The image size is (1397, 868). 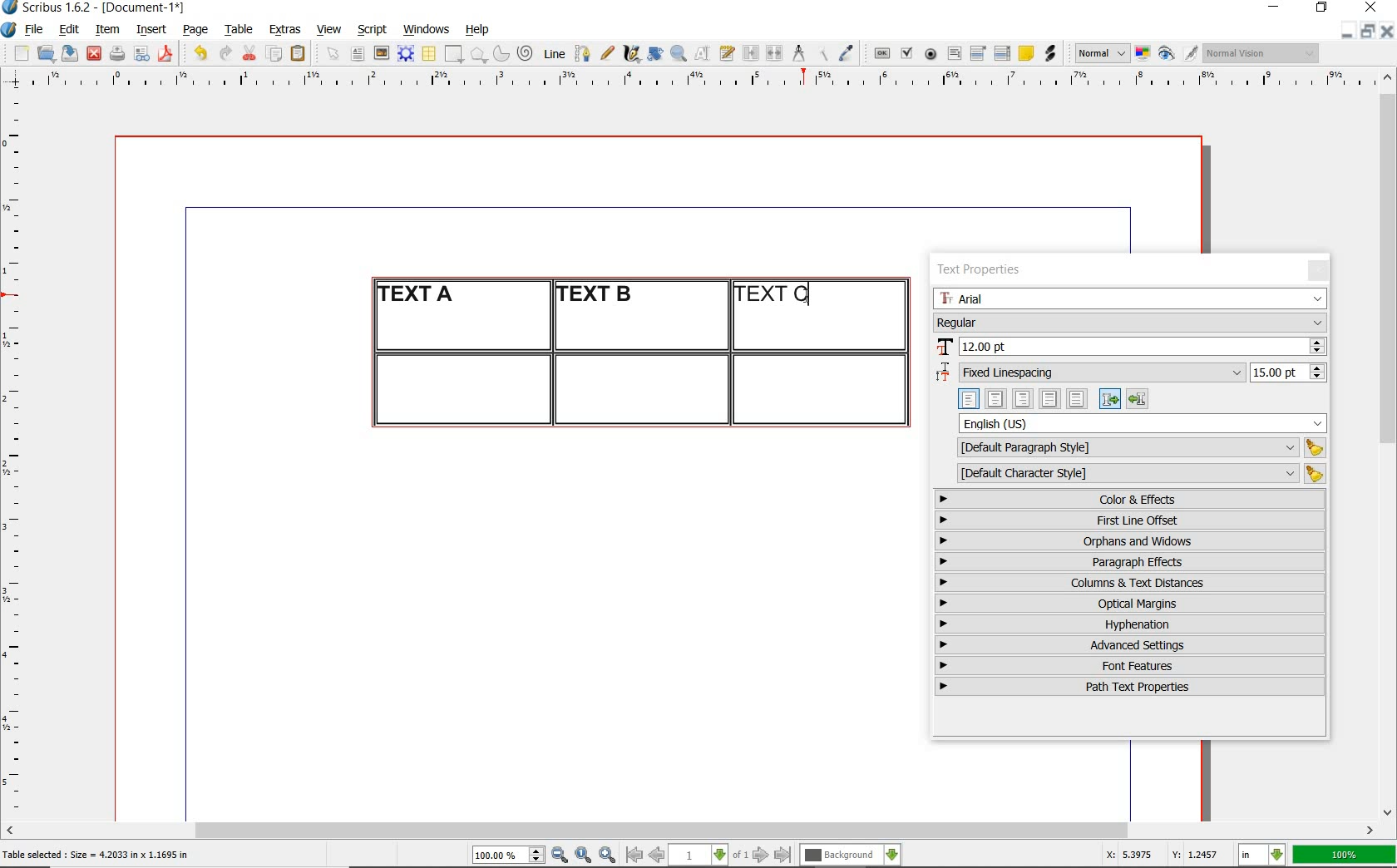 I want to click on edit text with story editor, so click(x=727, y=52).